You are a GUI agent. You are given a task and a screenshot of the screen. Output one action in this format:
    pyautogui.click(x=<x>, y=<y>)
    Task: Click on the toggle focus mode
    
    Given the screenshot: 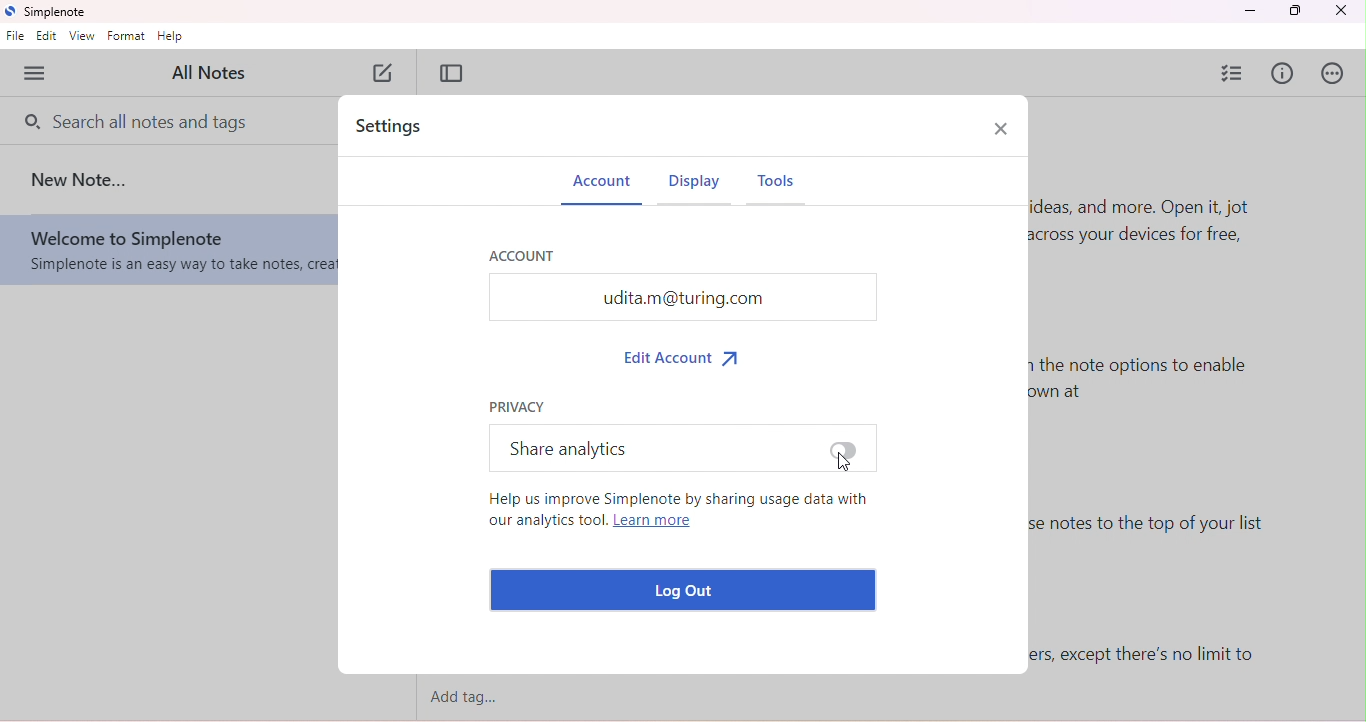 What is the action you would take?
    pyautogui.click(x=452, y=73)
    